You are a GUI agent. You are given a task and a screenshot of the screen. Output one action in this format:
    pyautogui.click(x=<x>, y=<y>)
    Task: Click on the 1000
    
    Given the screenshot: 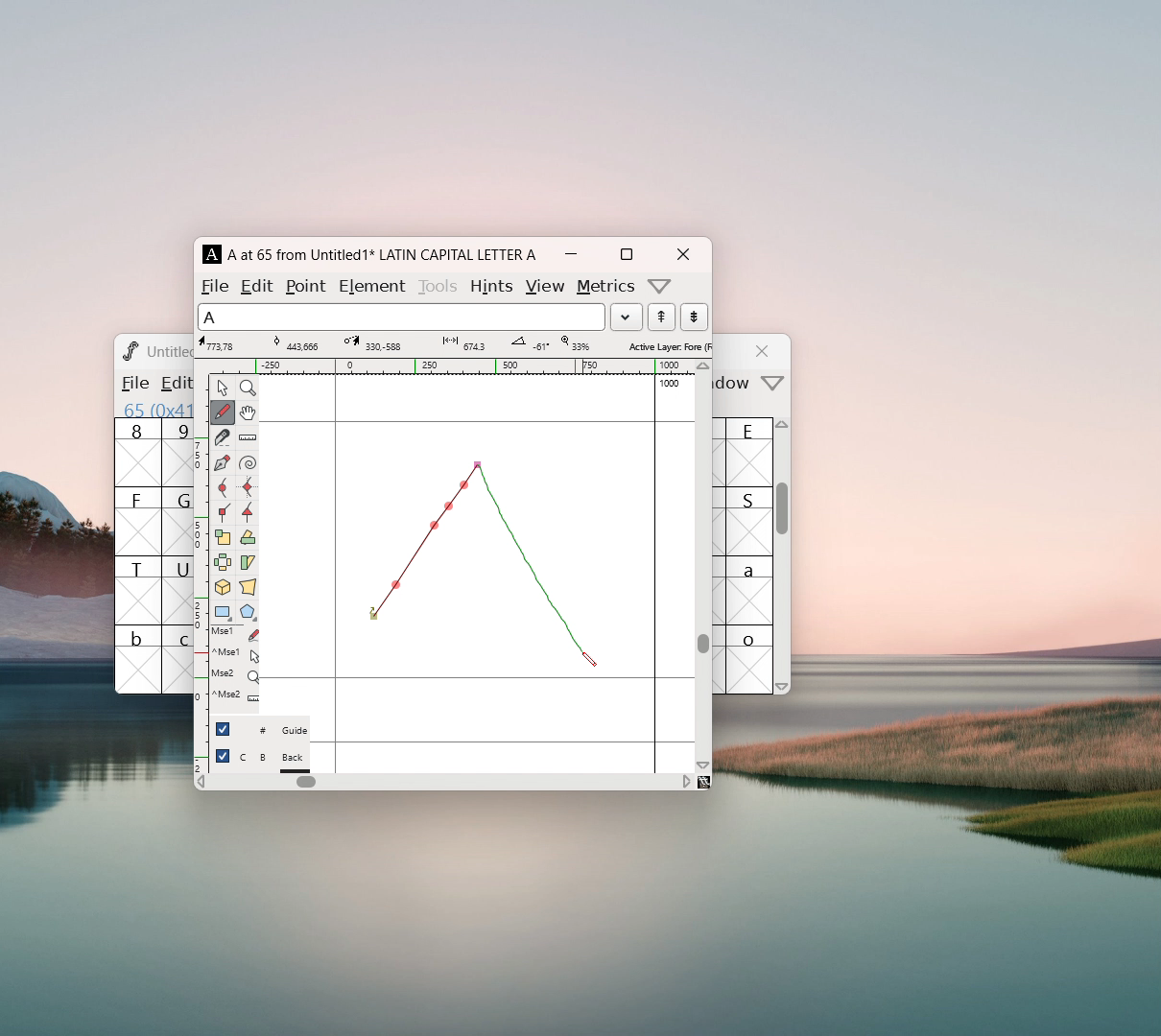 What is the action you would take?
    pyautogui.click(x=672, y=384)
    